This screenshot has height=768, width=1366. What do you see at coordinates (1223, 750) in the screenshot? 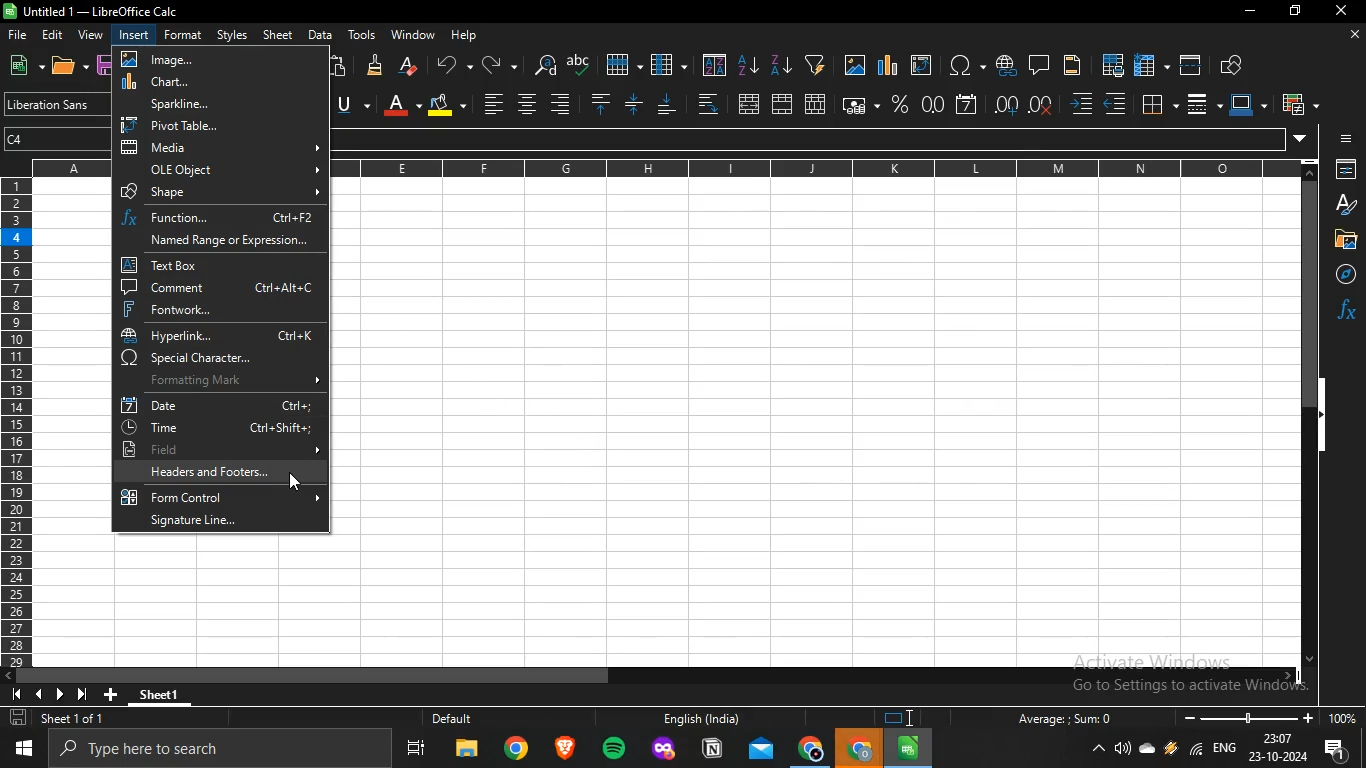
I see `english` at bounding box center [1223, 750].